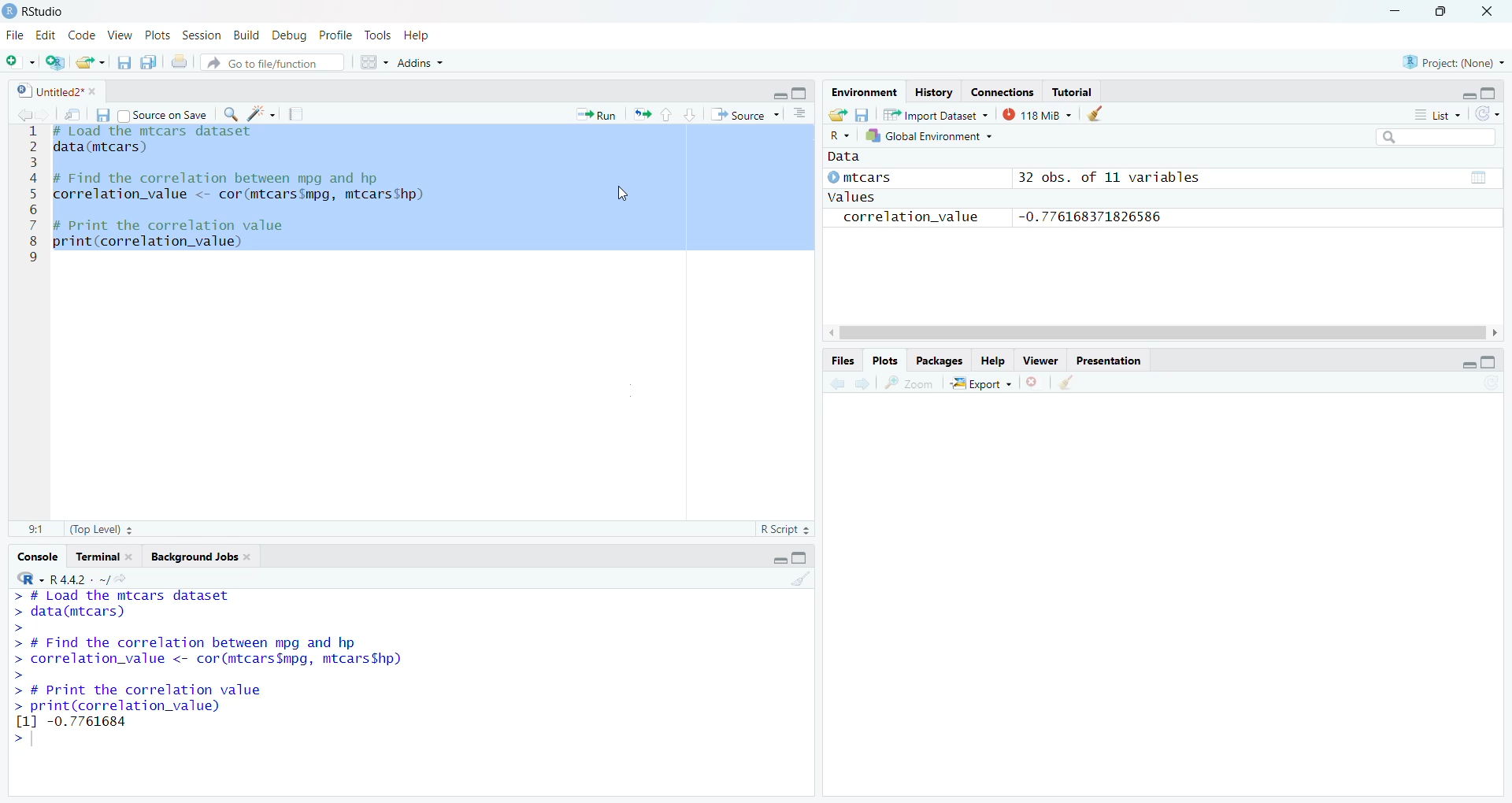 The height and width of the screenshot is (803, 1512). Describe the element at coordinates (31, 202) in the screenshot. I see `123456789` at that location.